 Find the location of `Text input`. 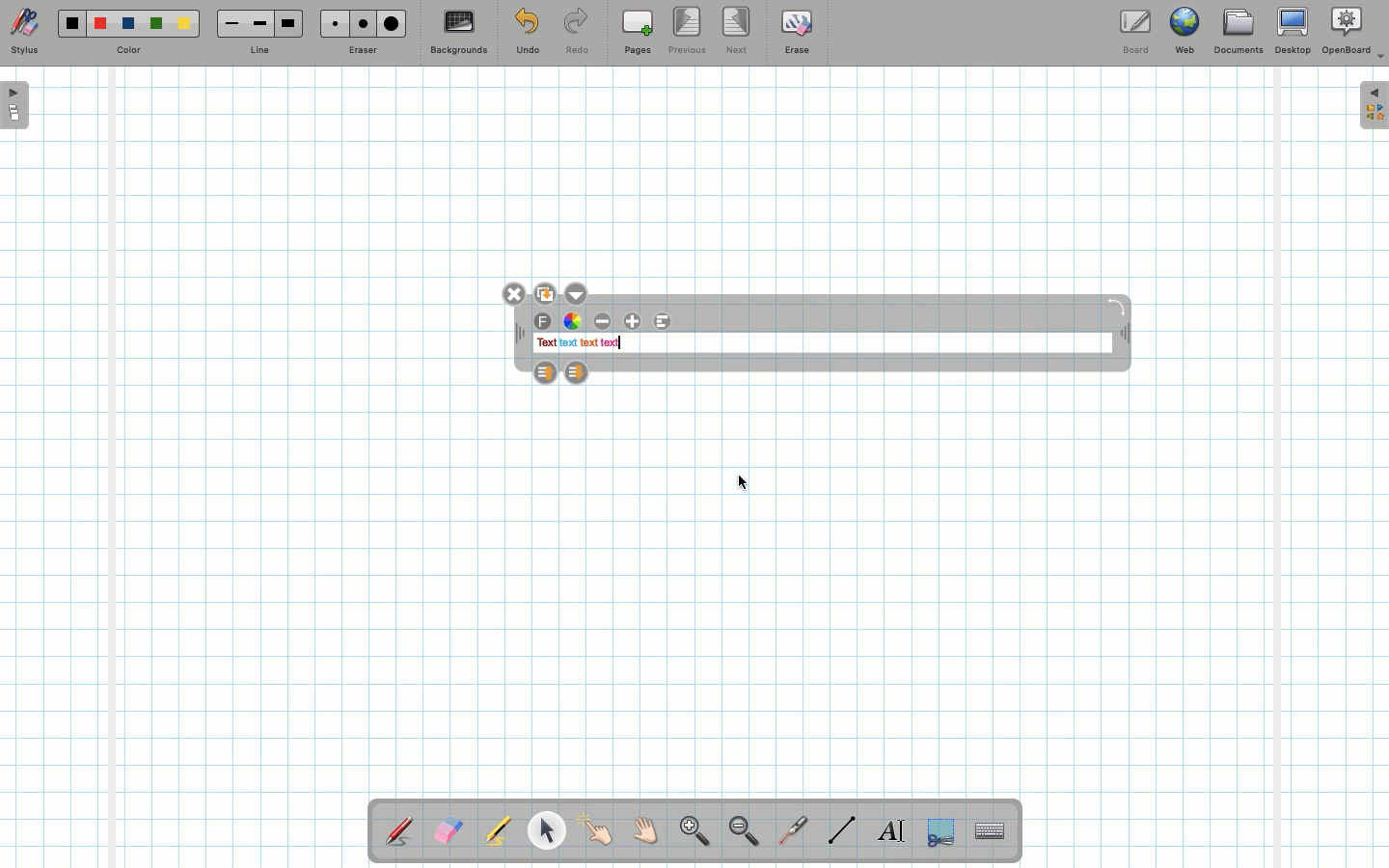

Text input is located at coordinates (991, 826).